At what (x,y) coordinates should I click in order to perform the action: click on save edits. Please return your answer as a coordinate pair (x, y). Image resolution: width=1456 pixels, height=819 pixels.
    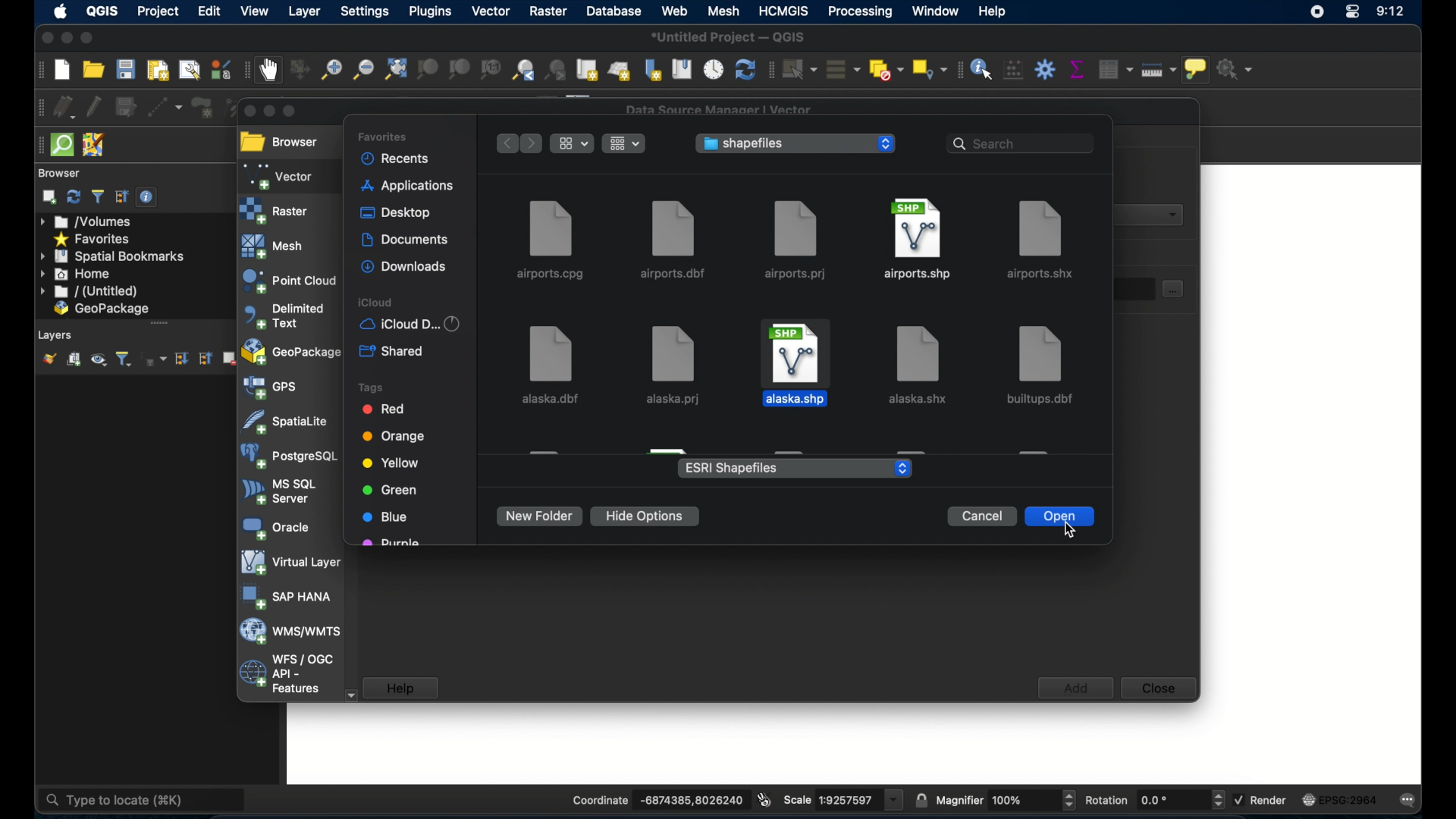
    Looking at the image, I should click on (126, 107).